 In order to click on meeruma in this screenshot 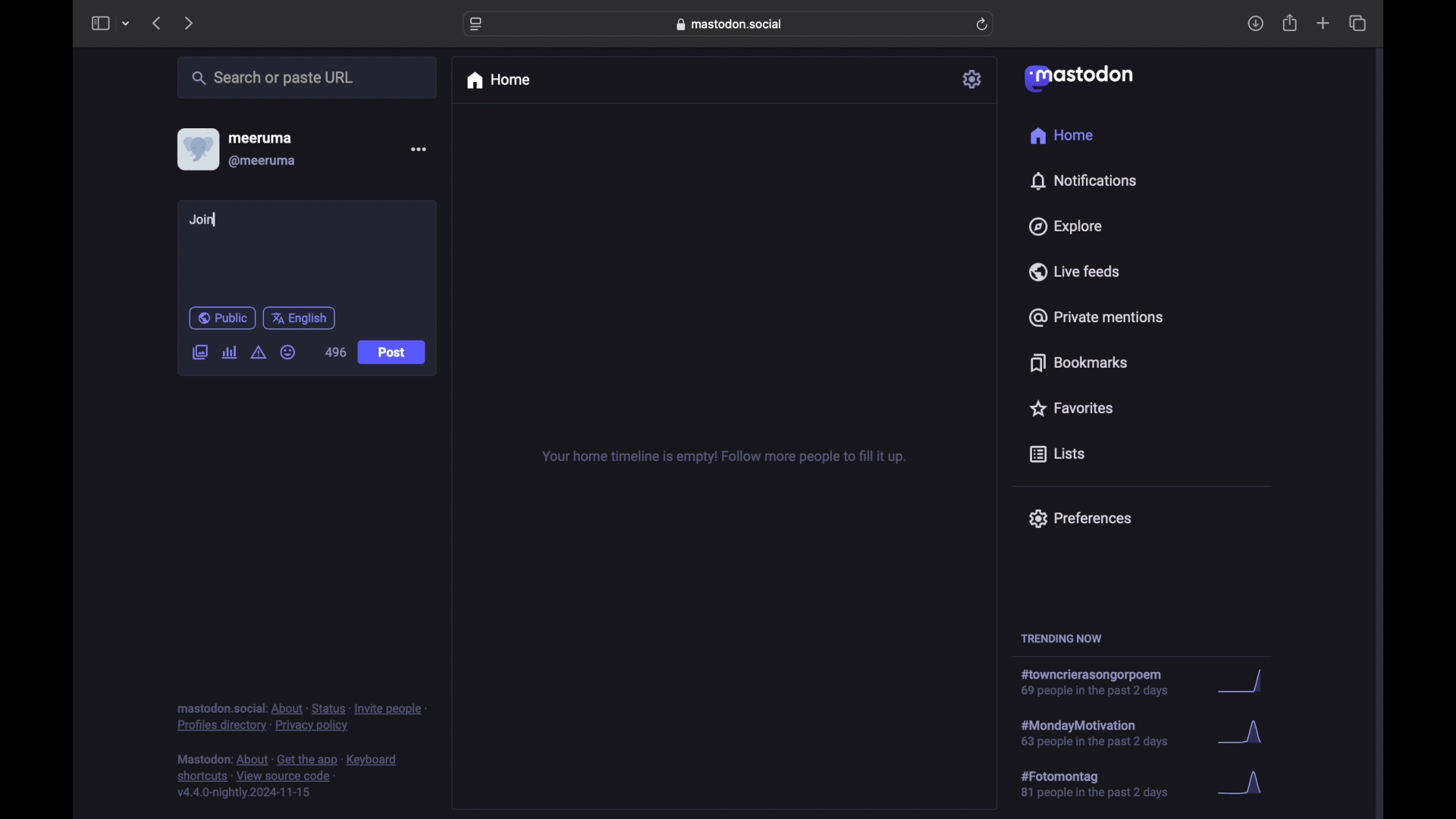, I will do `click(260, 137)`.